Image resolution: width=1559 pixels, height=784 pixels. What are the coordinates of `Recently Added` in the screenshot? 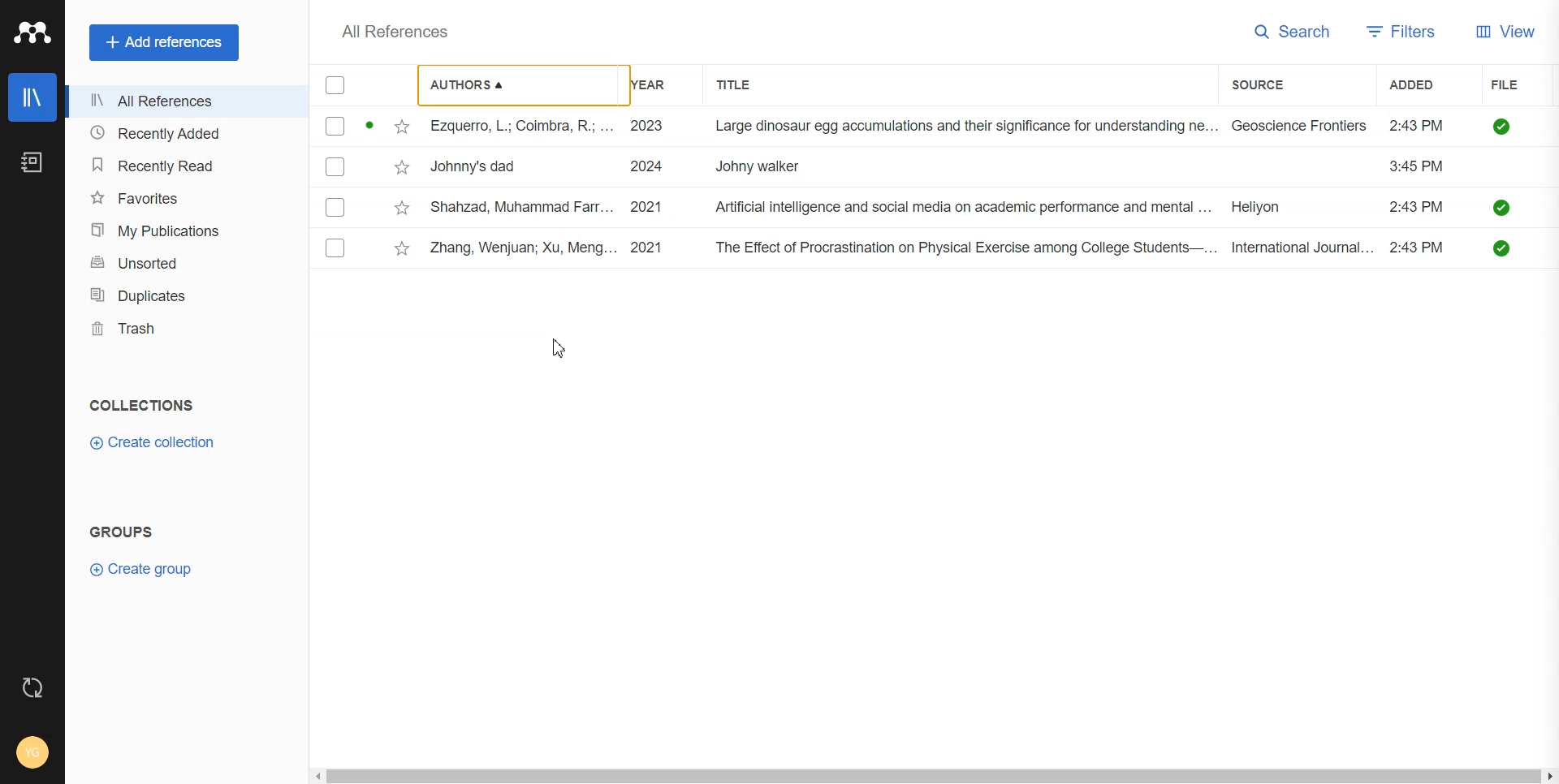 It's located at (179, 134).